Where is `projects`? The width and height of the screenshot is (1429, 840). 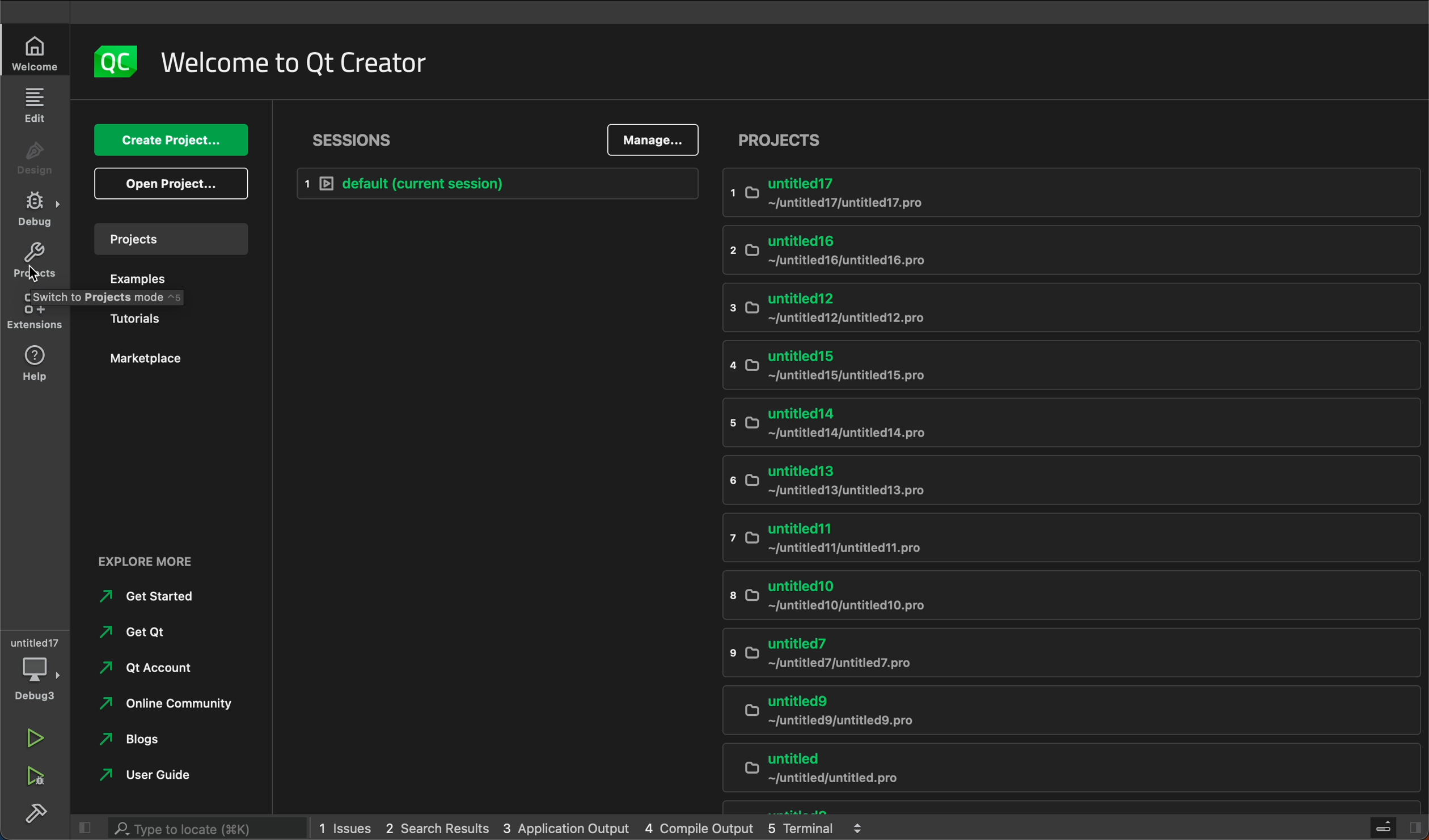 projects is located at coordinates (35, 262).